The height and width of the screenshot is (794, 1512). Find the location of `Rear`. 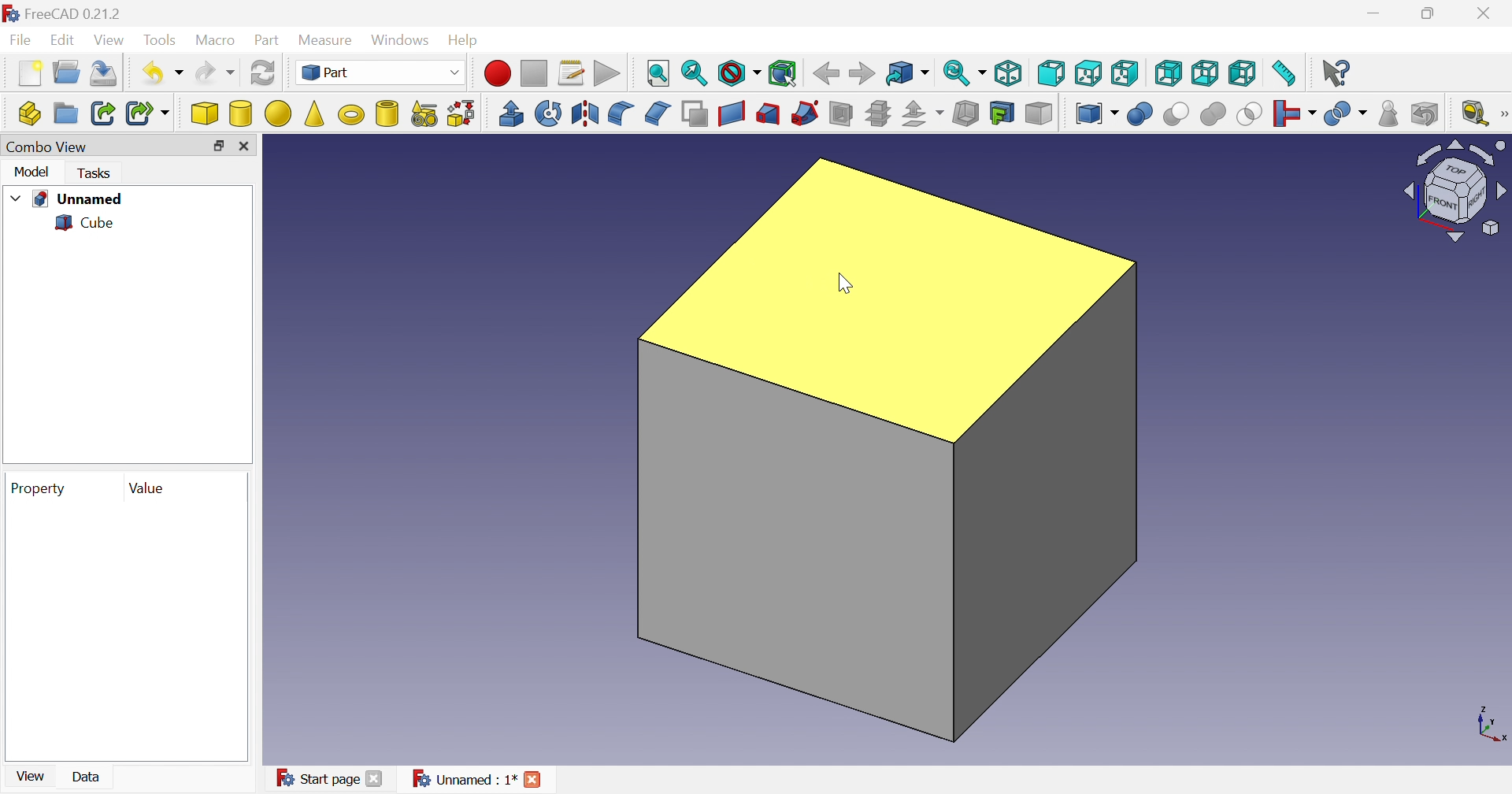

Rear is located at coordinates (1170, 73).